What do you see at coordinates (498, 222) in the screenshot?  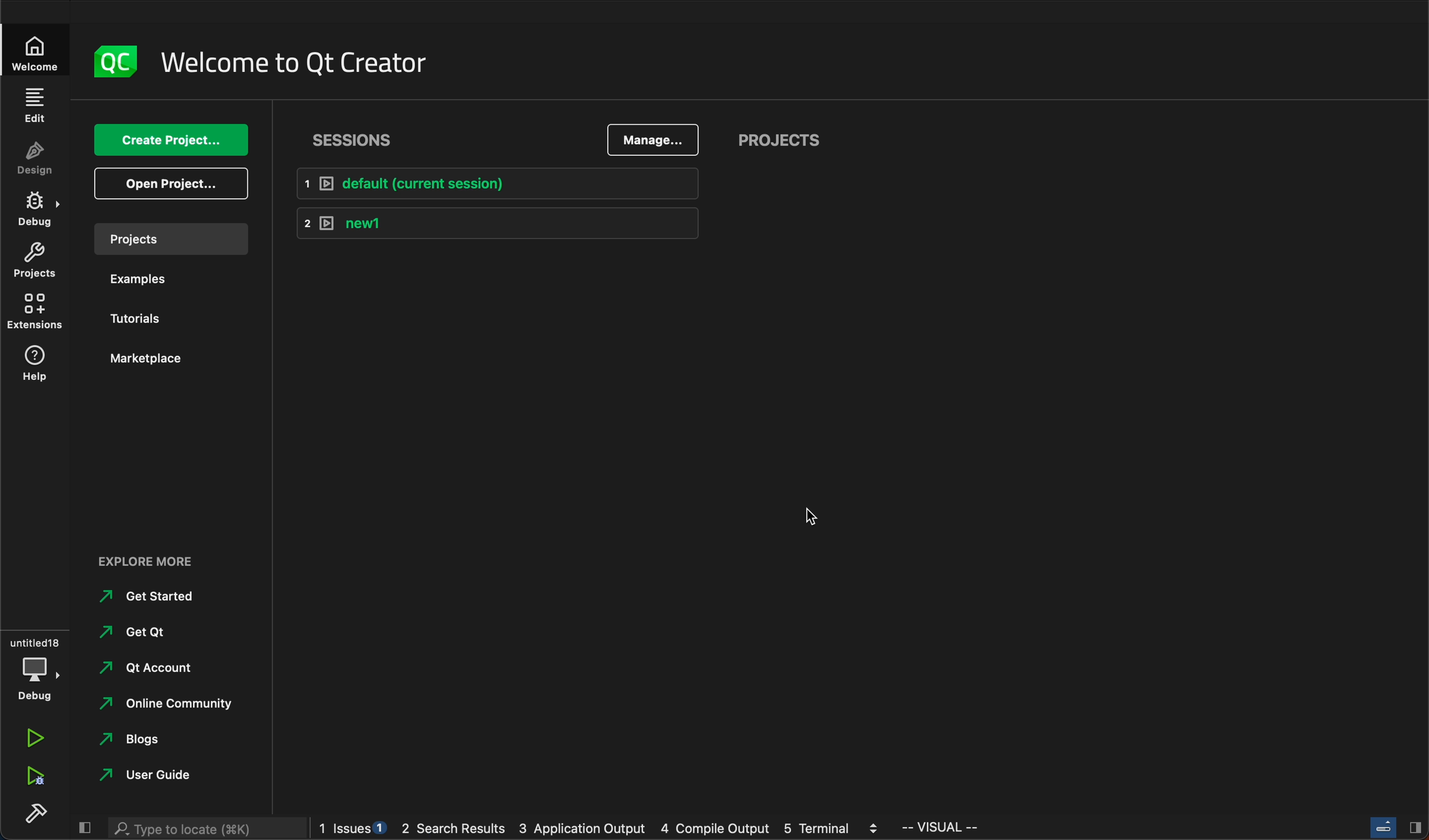 I see `new1` at bounding box center [498, 222].